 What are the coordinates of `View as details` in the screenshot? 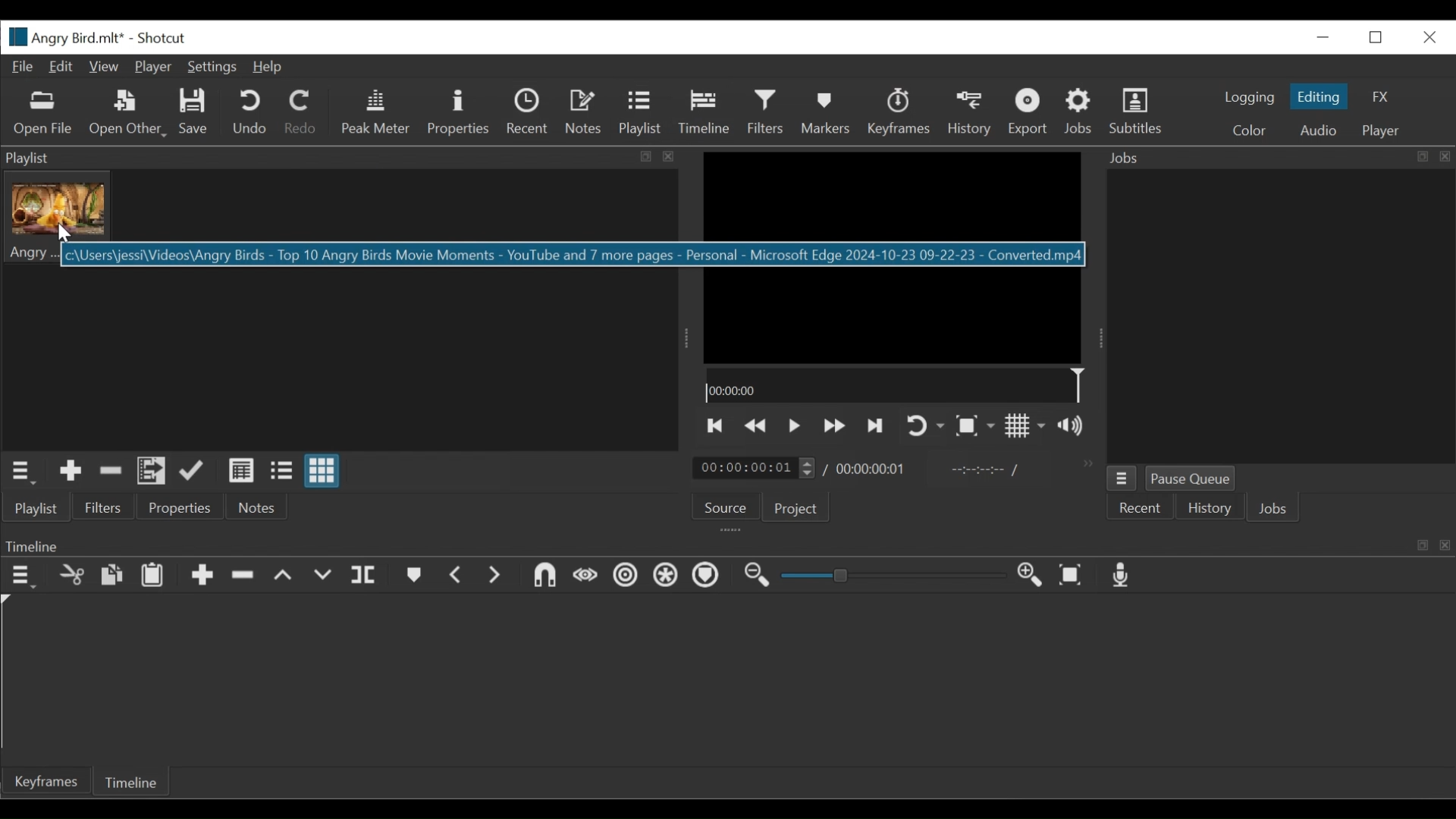 It's located at (240, 471).